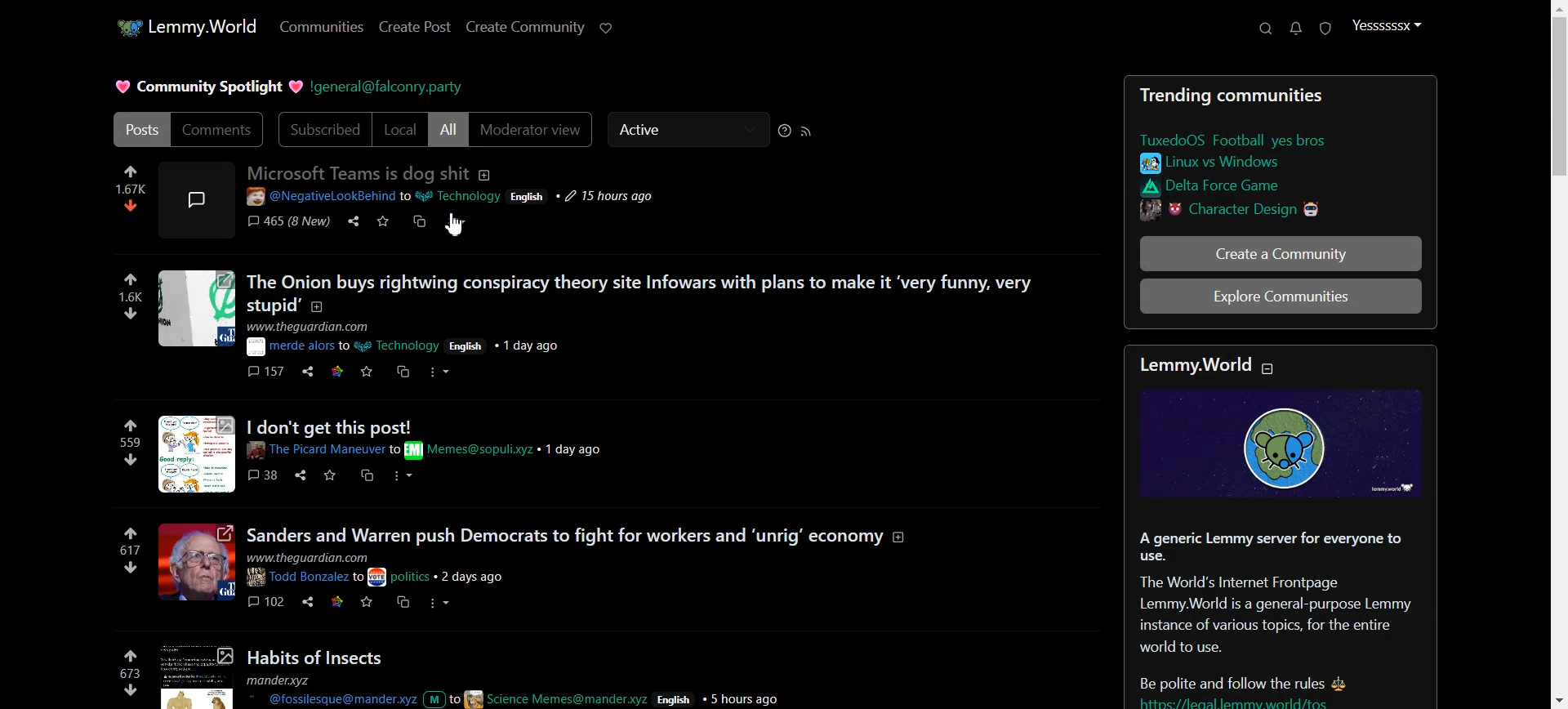 The width and height of the screenshot is (1568, 709). Describe the element at coordinates (206, 87) in the screenshot. I see `Text` at that location.